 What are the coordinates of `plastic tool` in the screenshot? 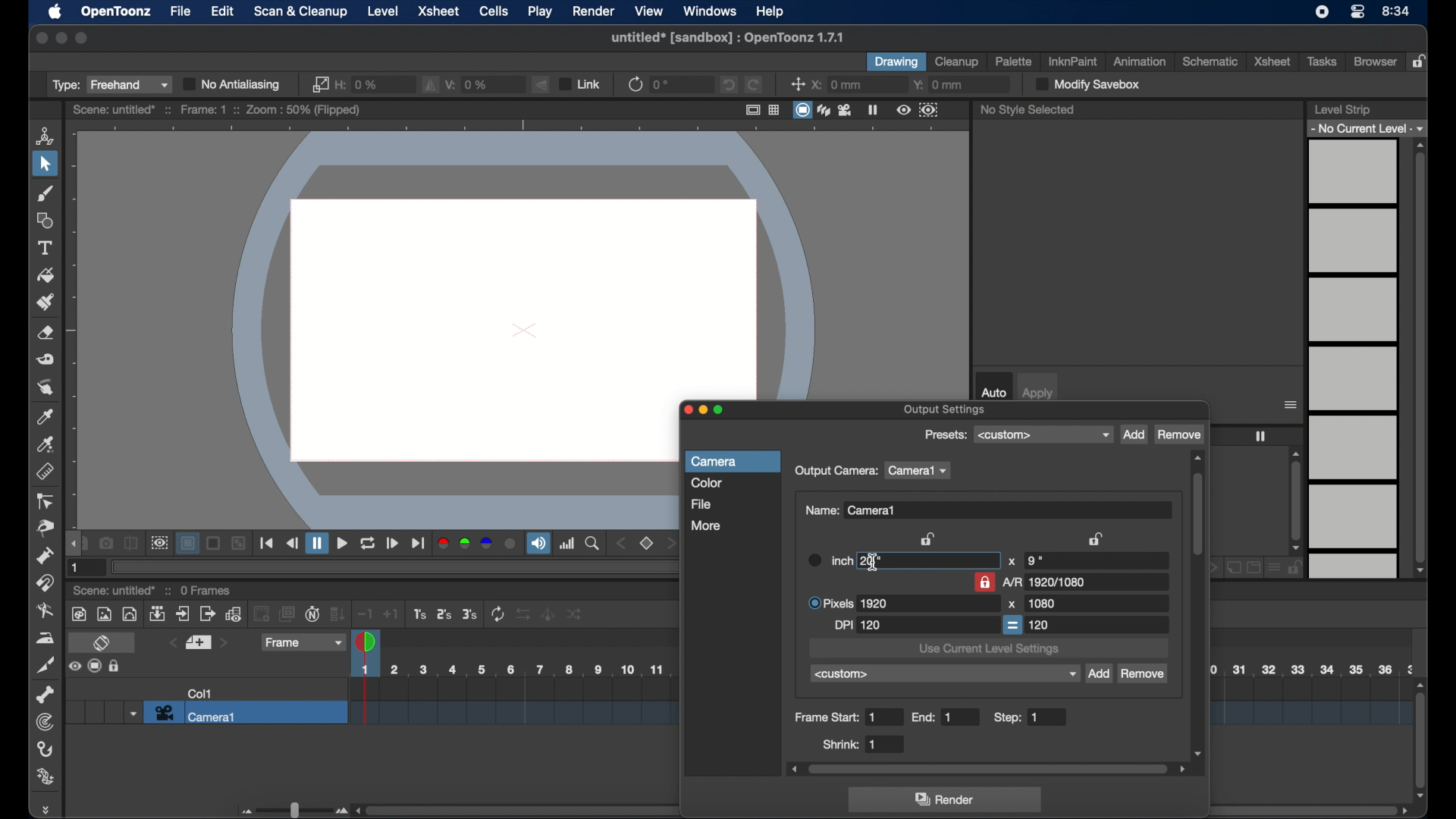 It's located at (46, 777).